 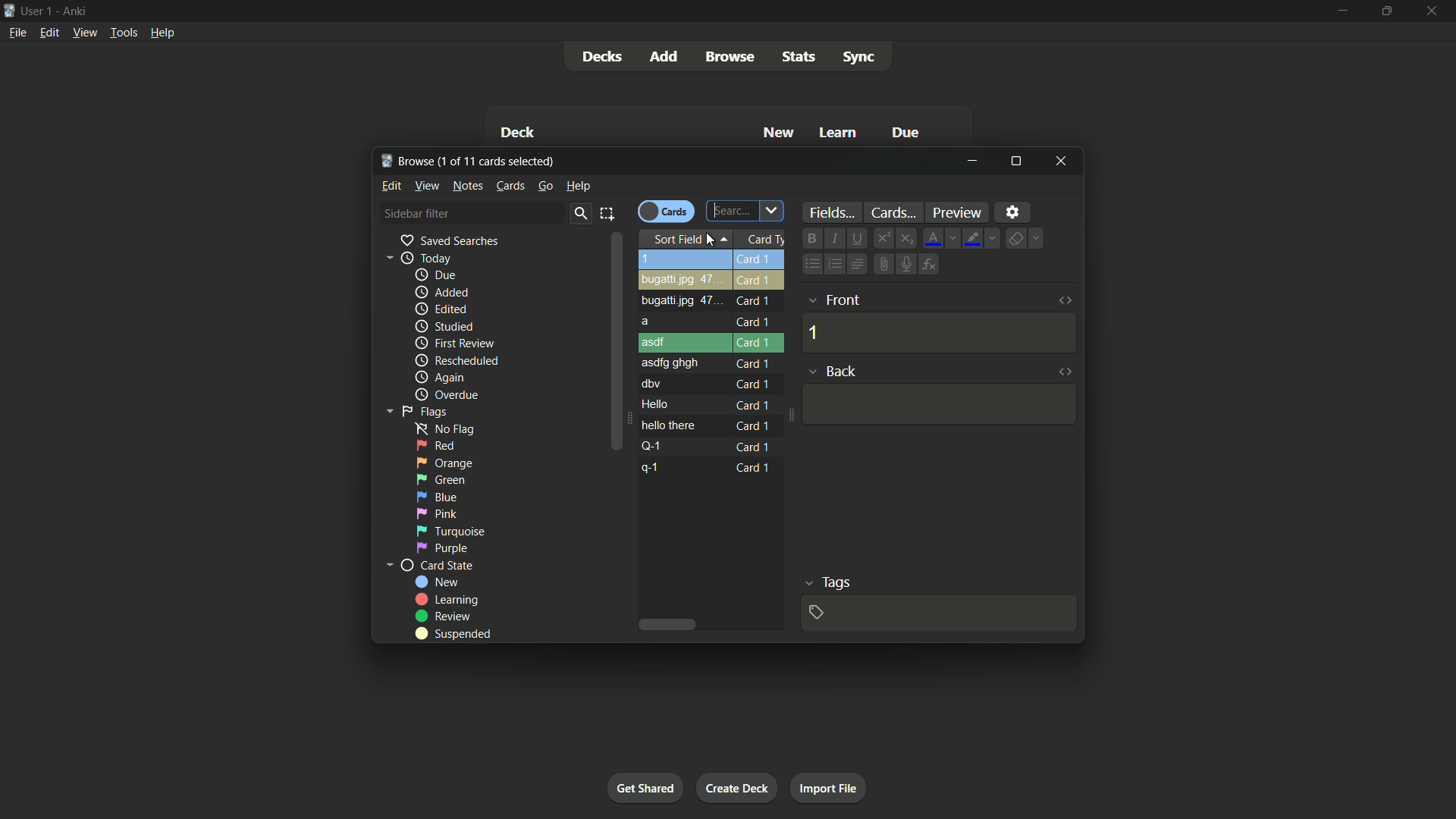 I want to click on underline, so click(x=855, y=237).